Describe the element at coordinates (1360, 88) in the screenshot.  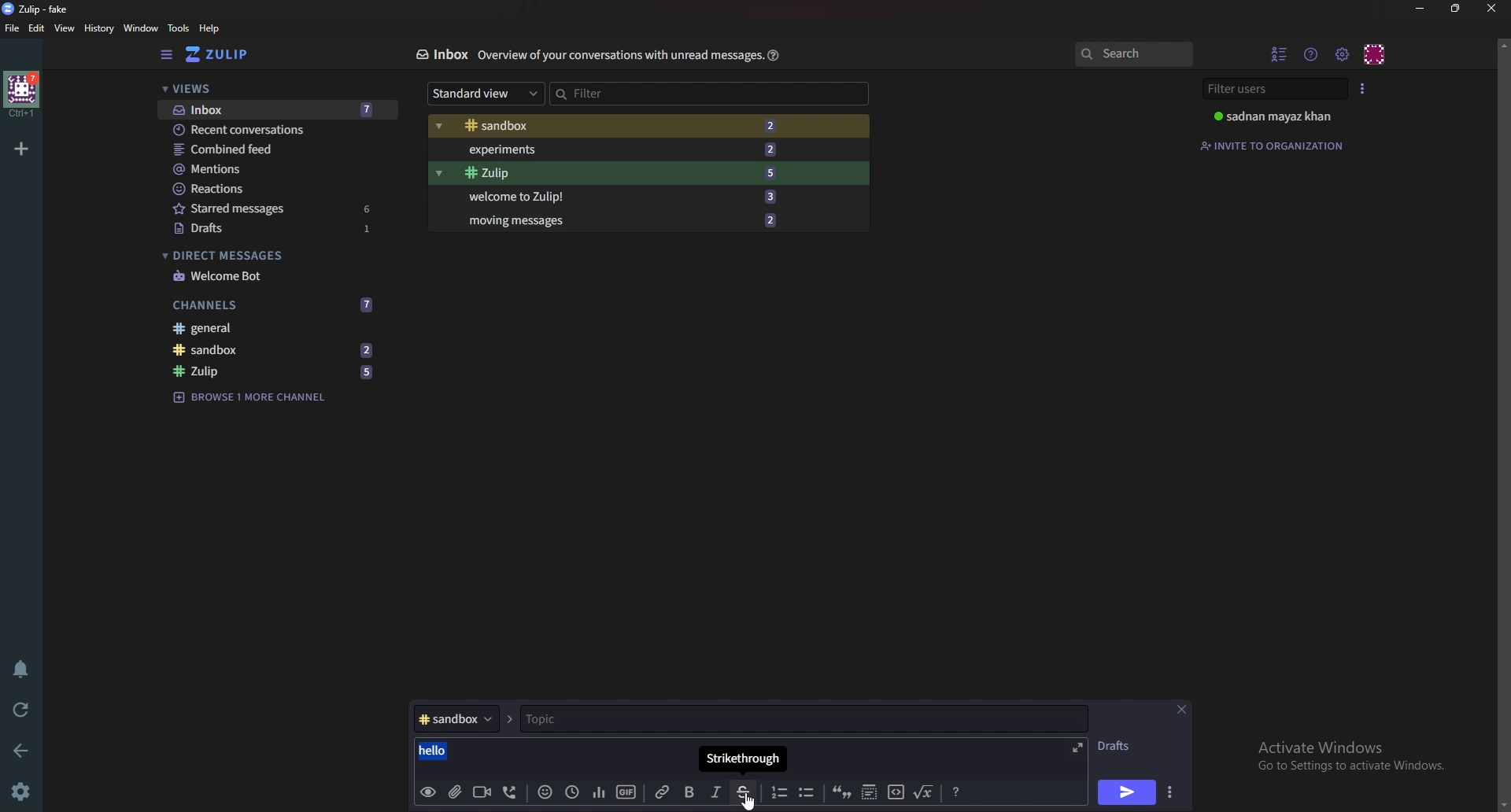
I see `User list style` at that location.